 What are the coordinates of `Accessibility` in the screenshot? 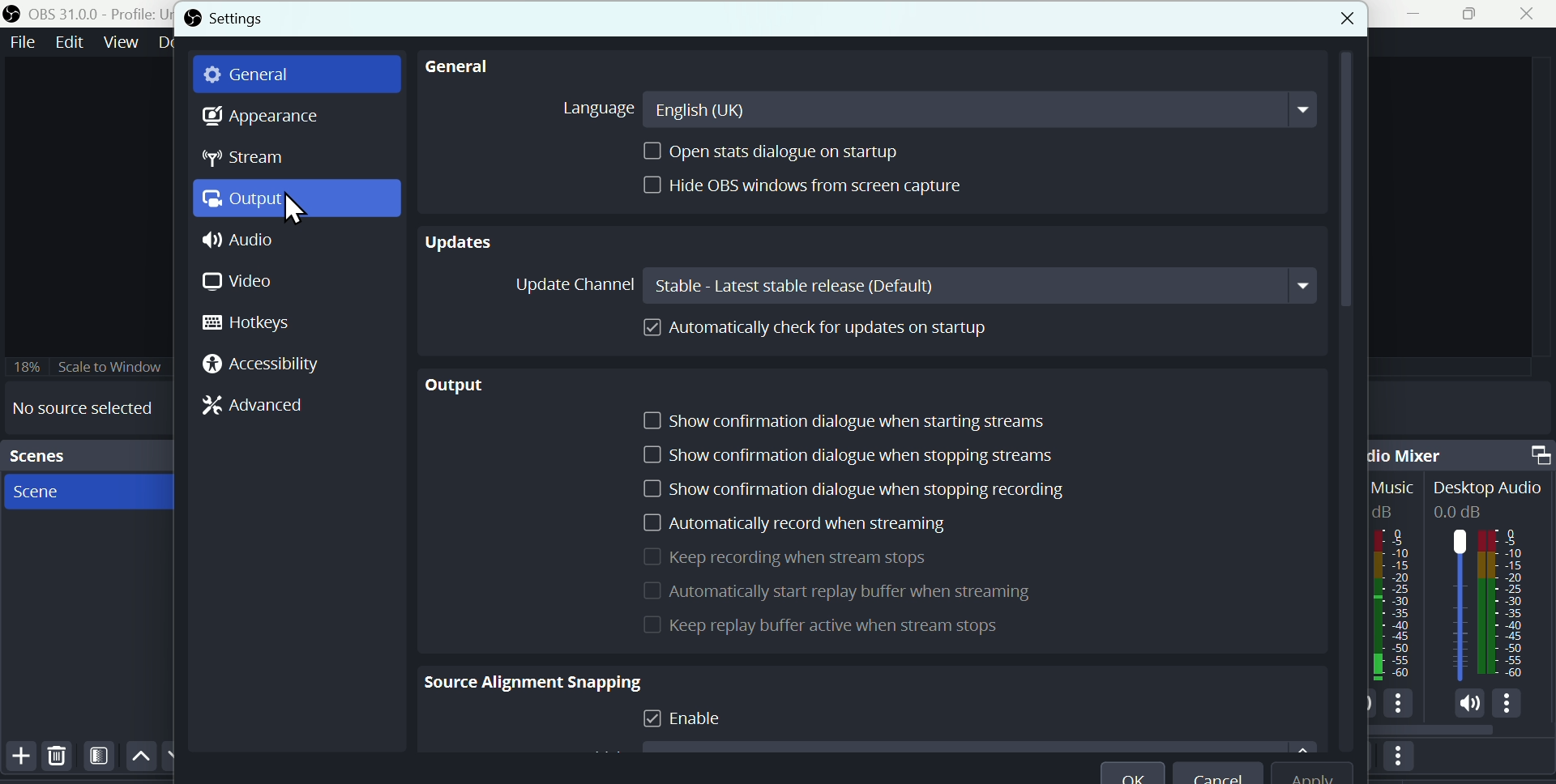 It's located at (268, 363).